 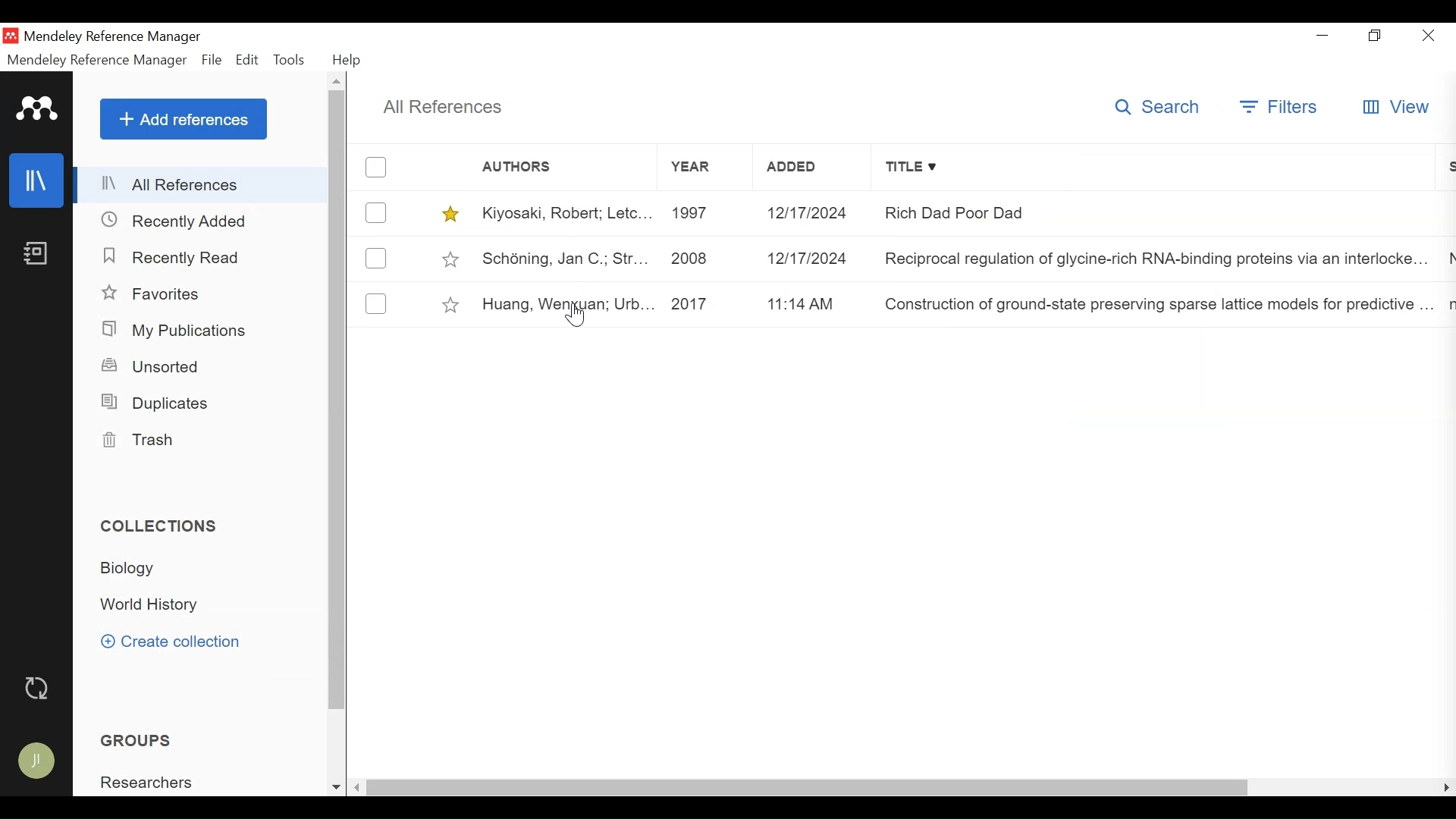 I want to click on Sync, so click(x=39, y=689).